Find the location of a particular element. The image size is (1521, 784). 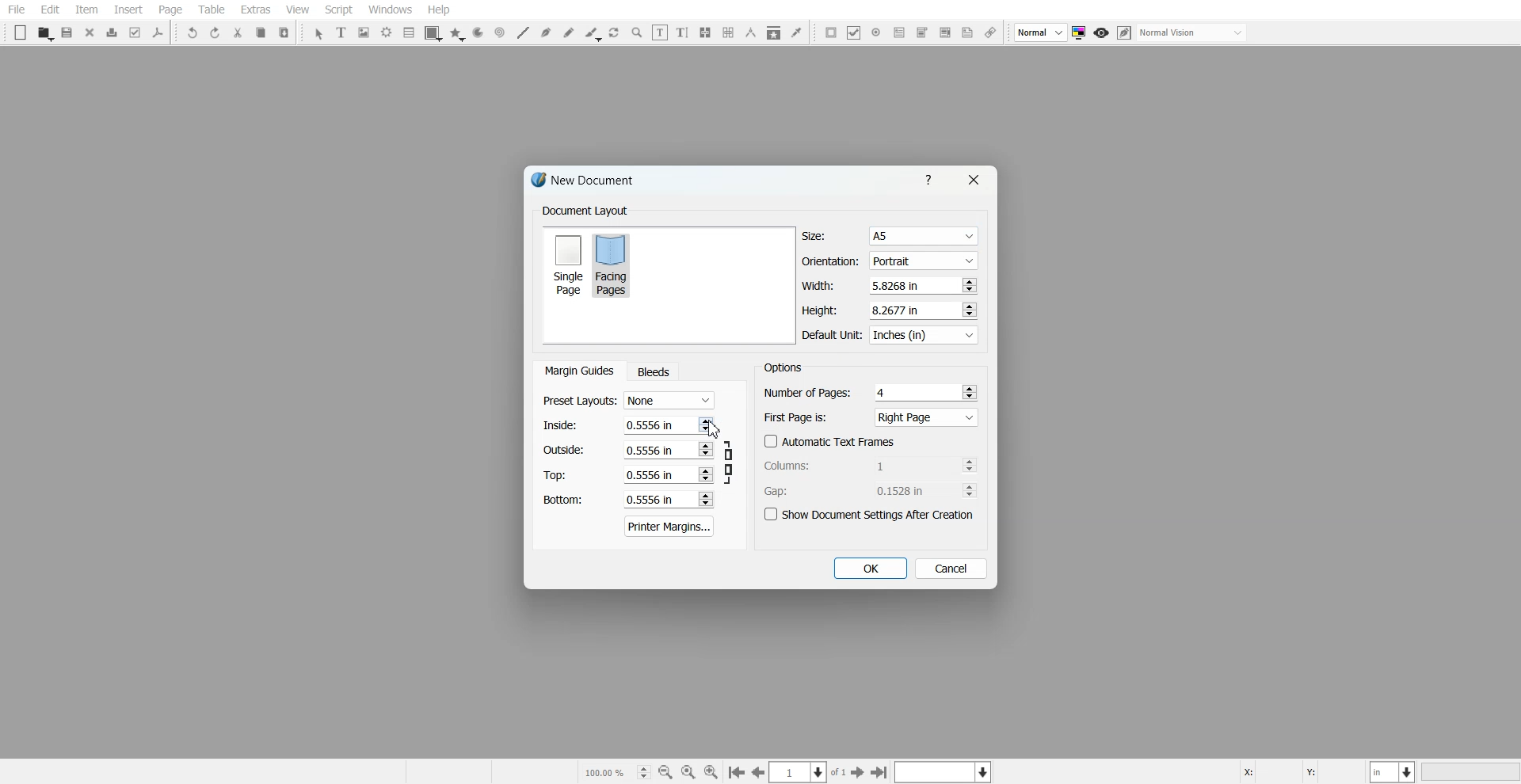

Orientation is located at coordinates (890, 261).